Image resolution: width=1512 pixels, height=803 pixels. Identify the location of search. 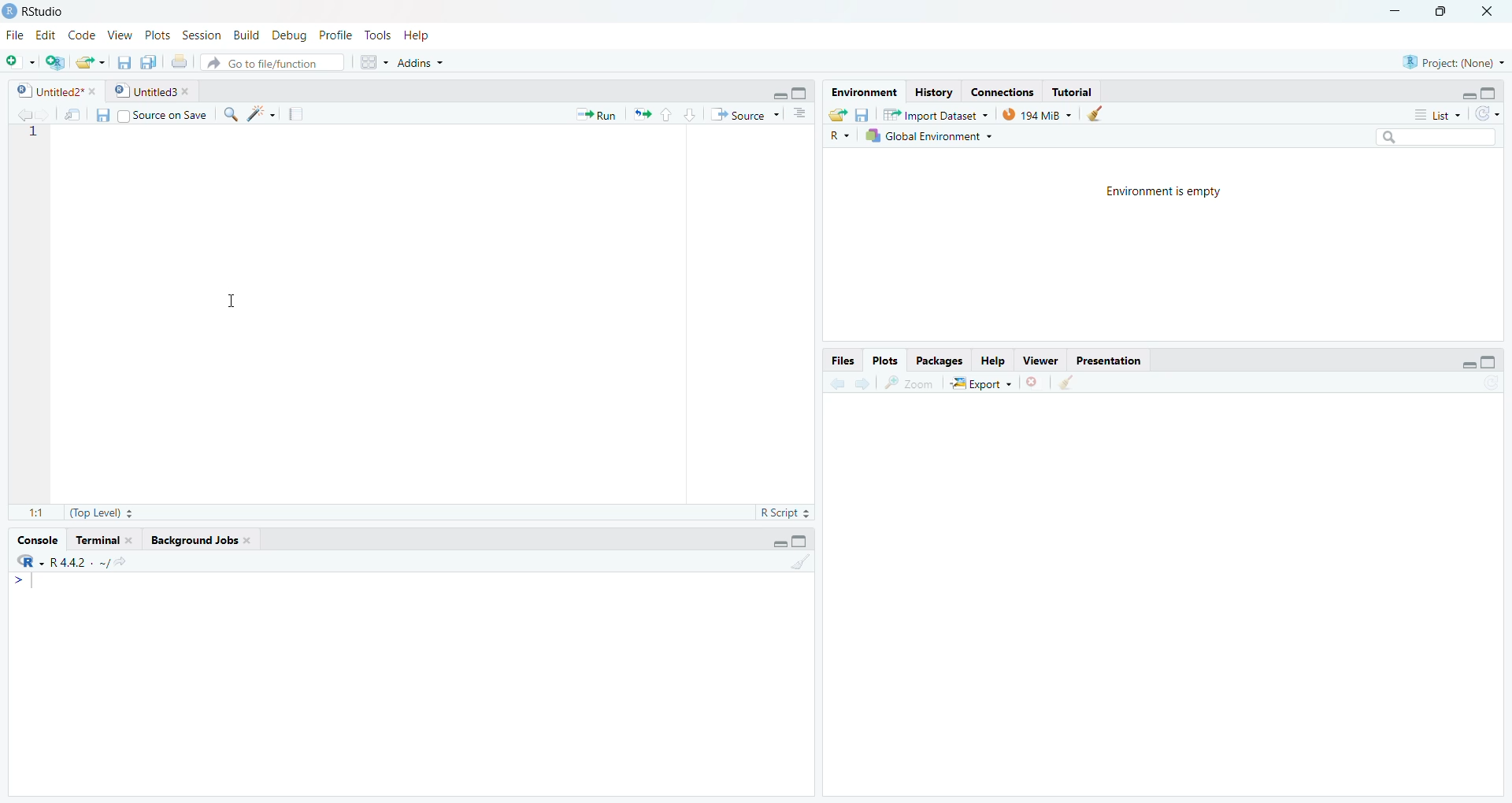
(230, 114).